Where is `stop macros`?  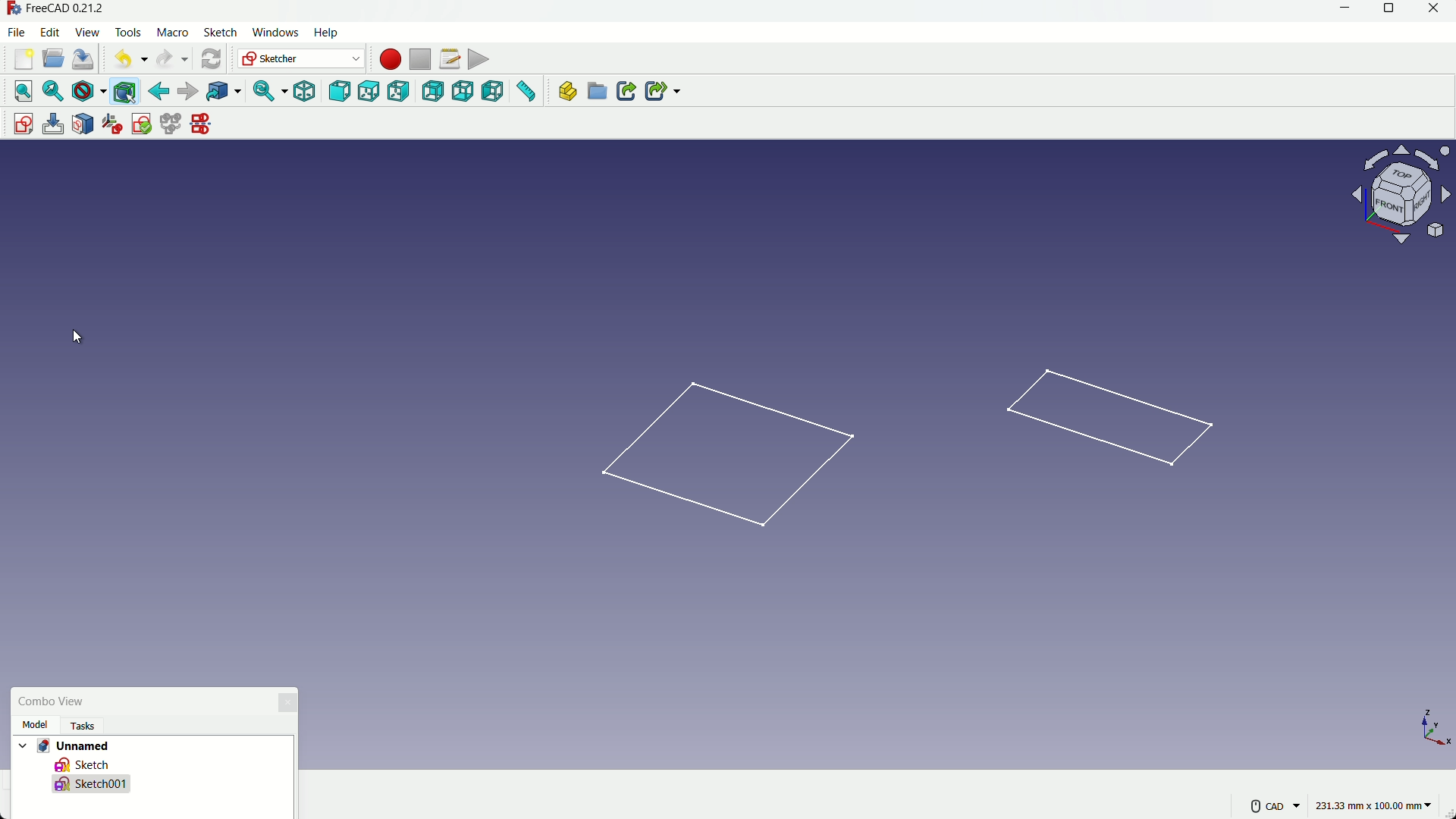
stop macros is located at coordinates (419, 60).